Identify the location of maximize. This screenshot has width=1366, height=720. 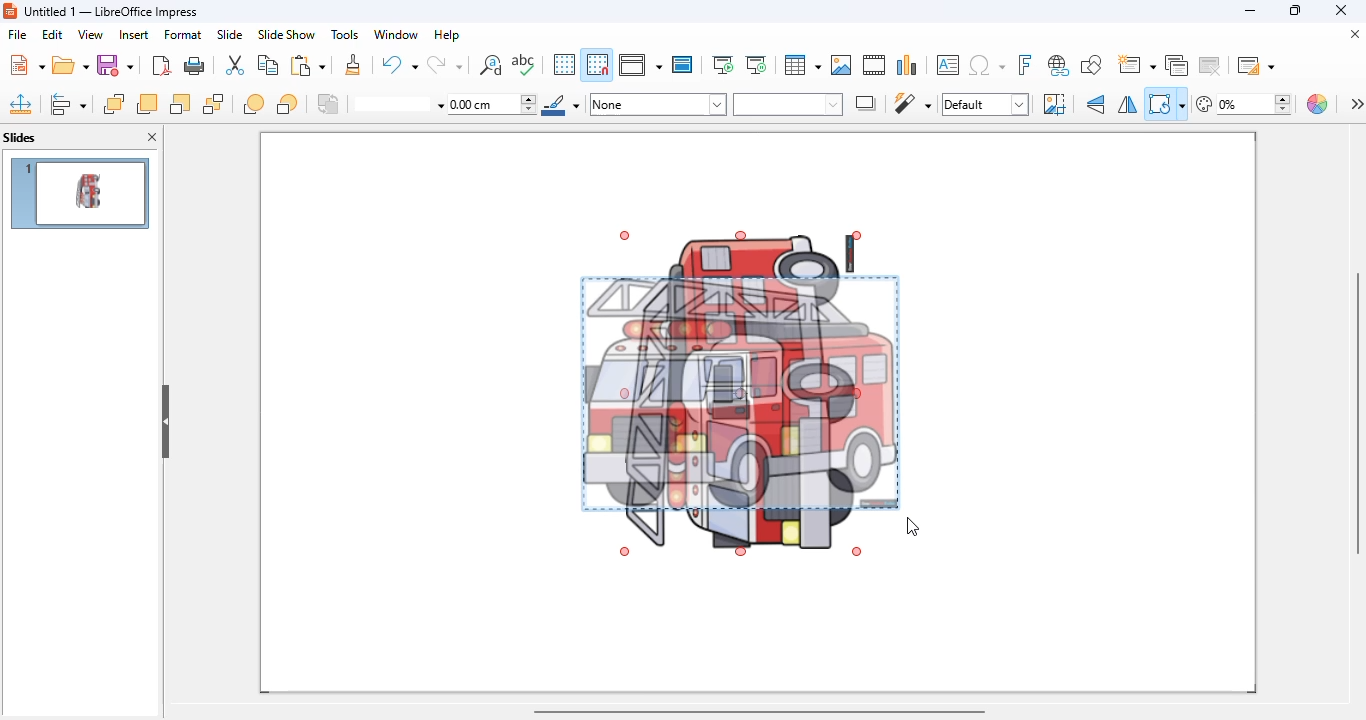
(1294, 10).